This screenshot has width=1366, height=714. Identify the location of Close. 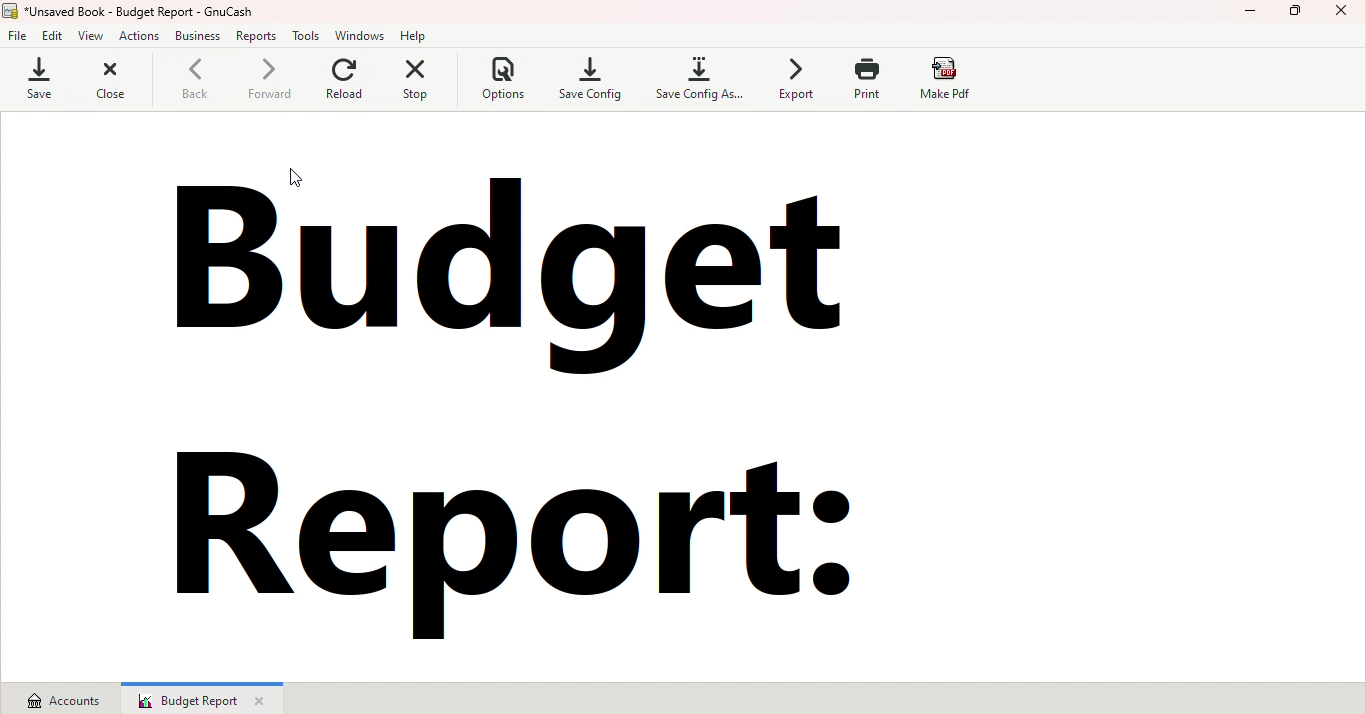
(105, 79).